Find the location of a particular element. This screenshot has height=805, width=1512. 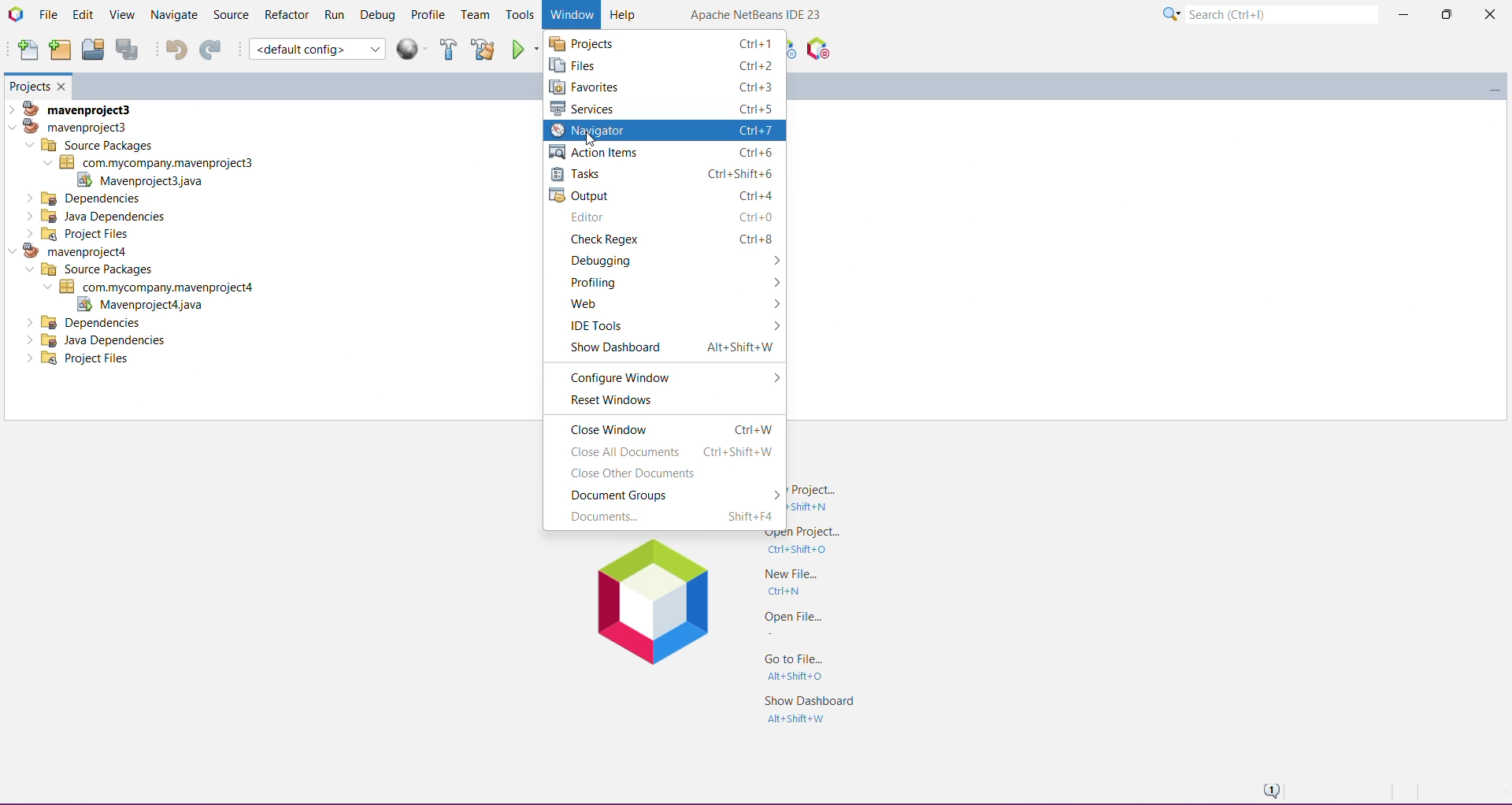

 is located at coordinates (86, 322).